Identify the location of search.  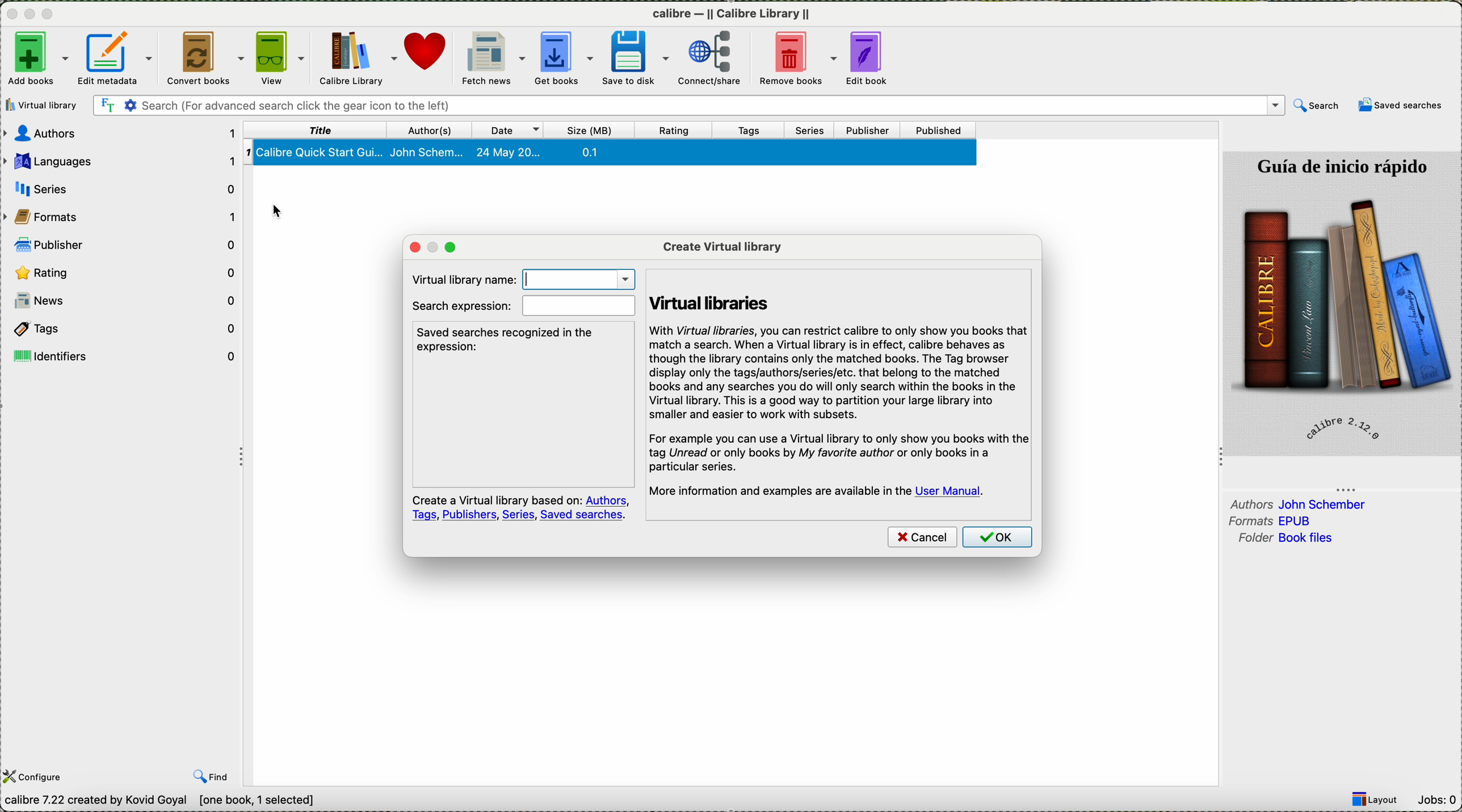
(1316, 106).